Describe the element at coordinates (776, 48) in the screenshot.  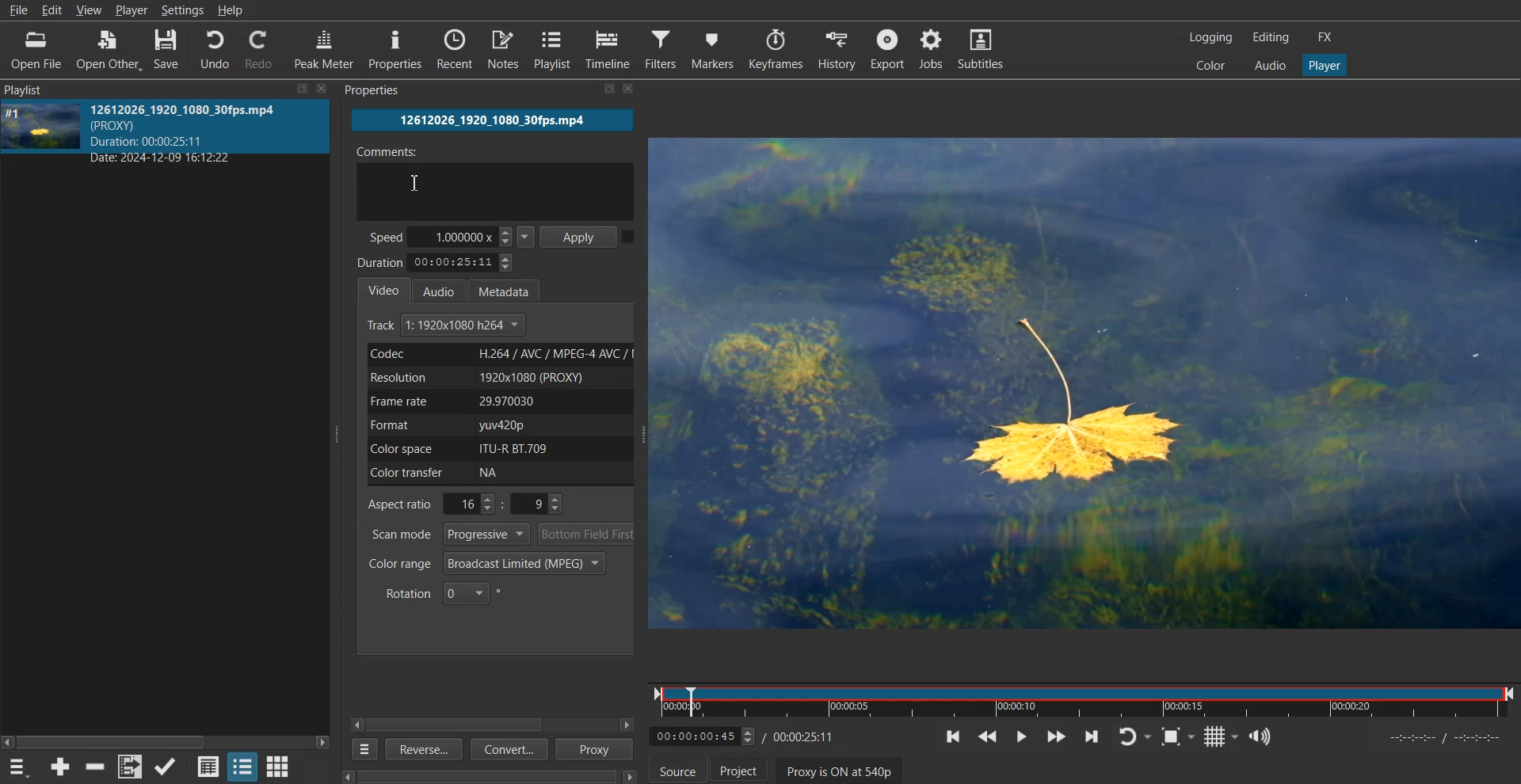
I see `Keyframes` at that location.